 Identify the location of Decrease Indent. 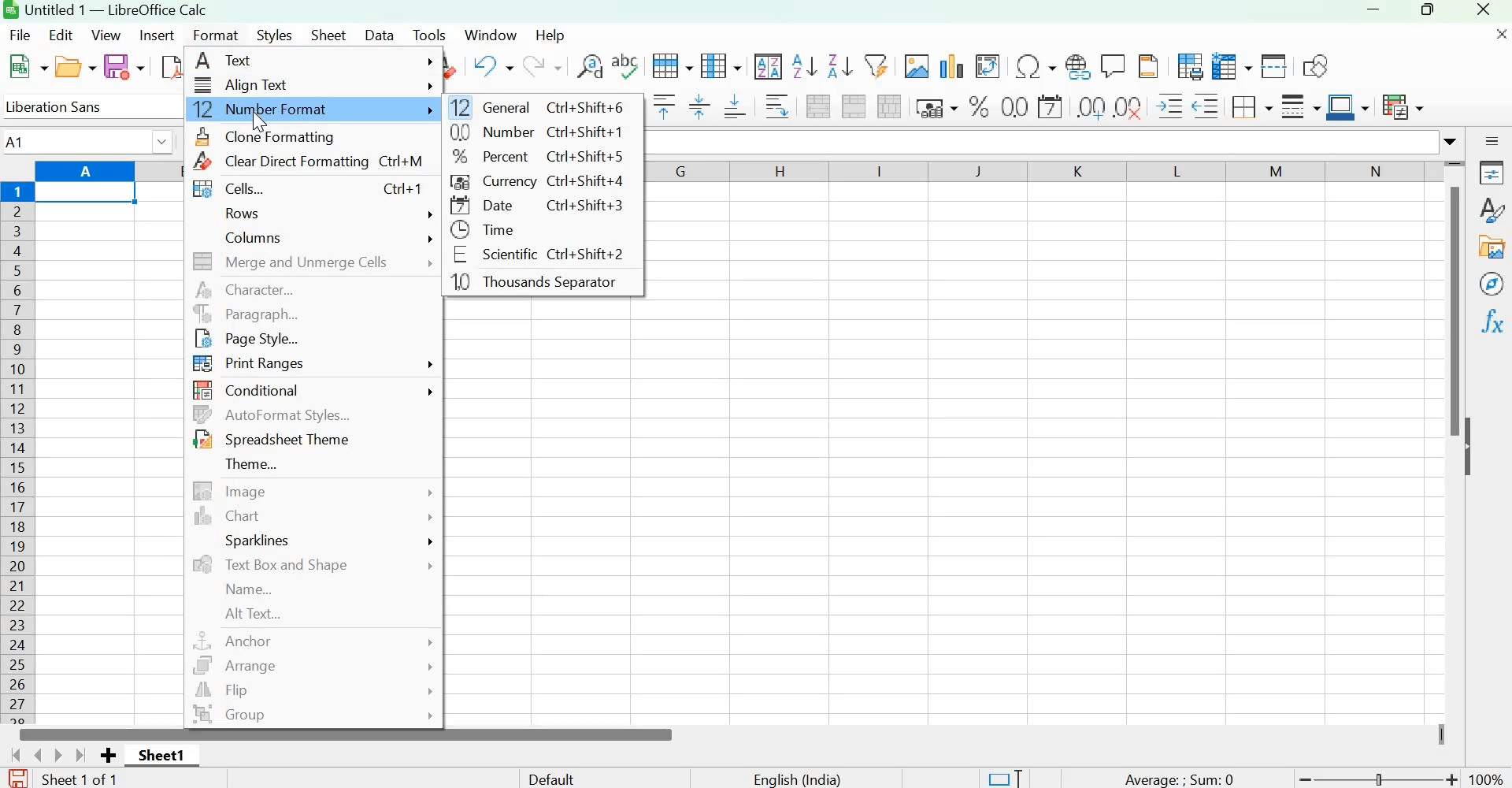
(1206, 105).